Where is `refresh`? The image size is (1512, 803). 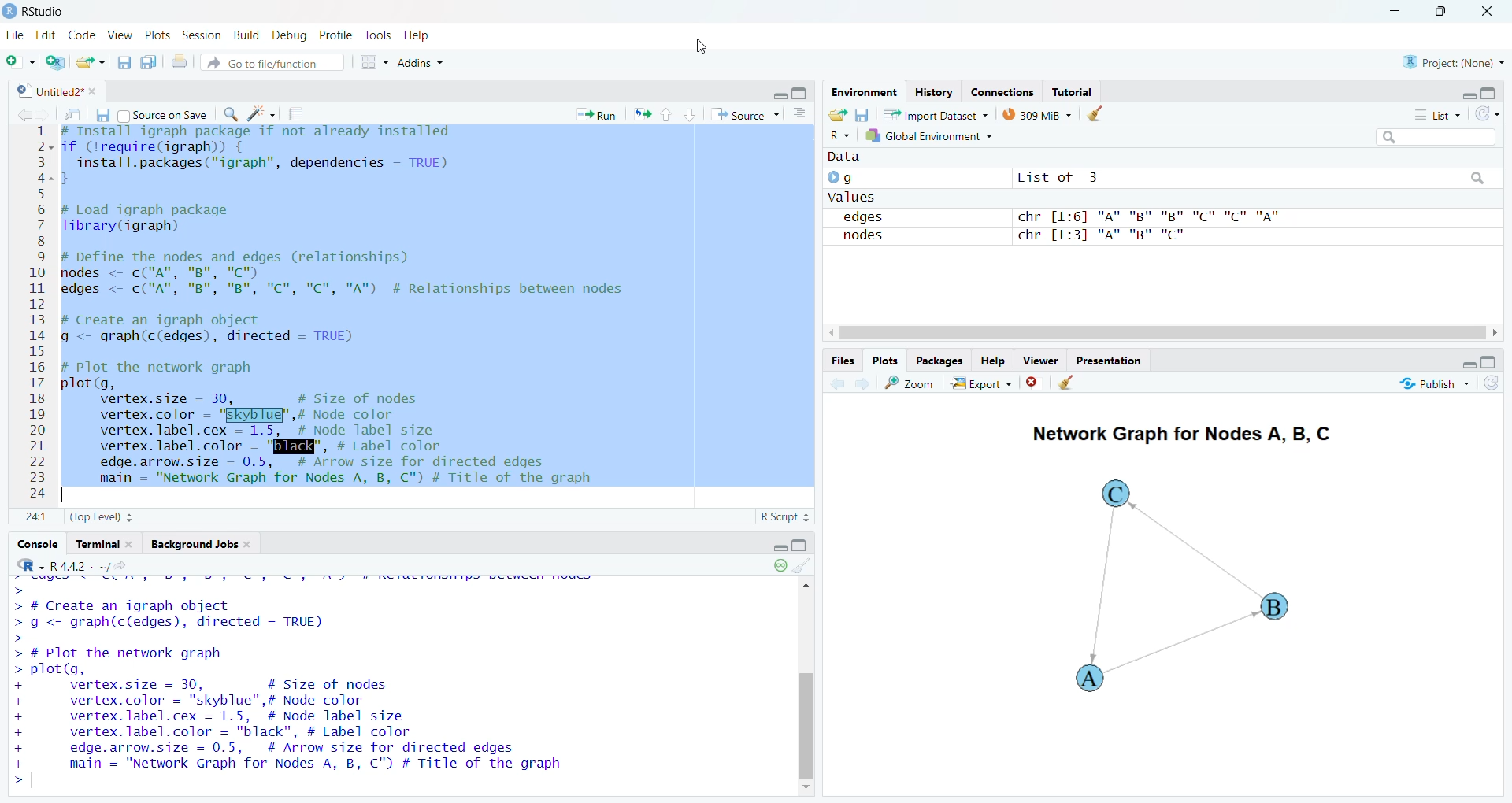 refresh is located at coordinates (1487, 113).